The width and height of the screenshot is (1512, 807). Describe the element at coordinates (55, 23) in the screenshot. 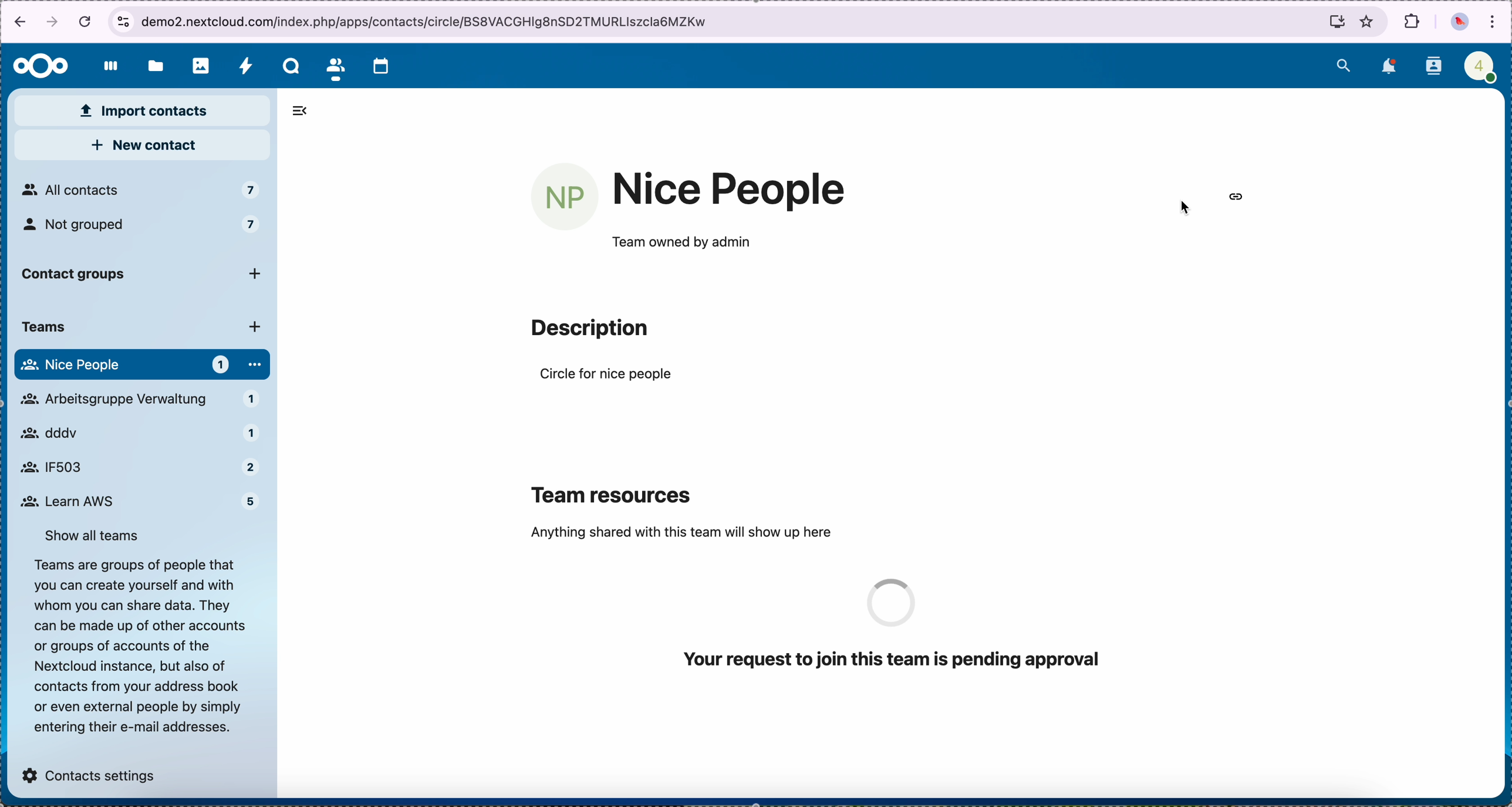

I see `navigate foward` at that location.